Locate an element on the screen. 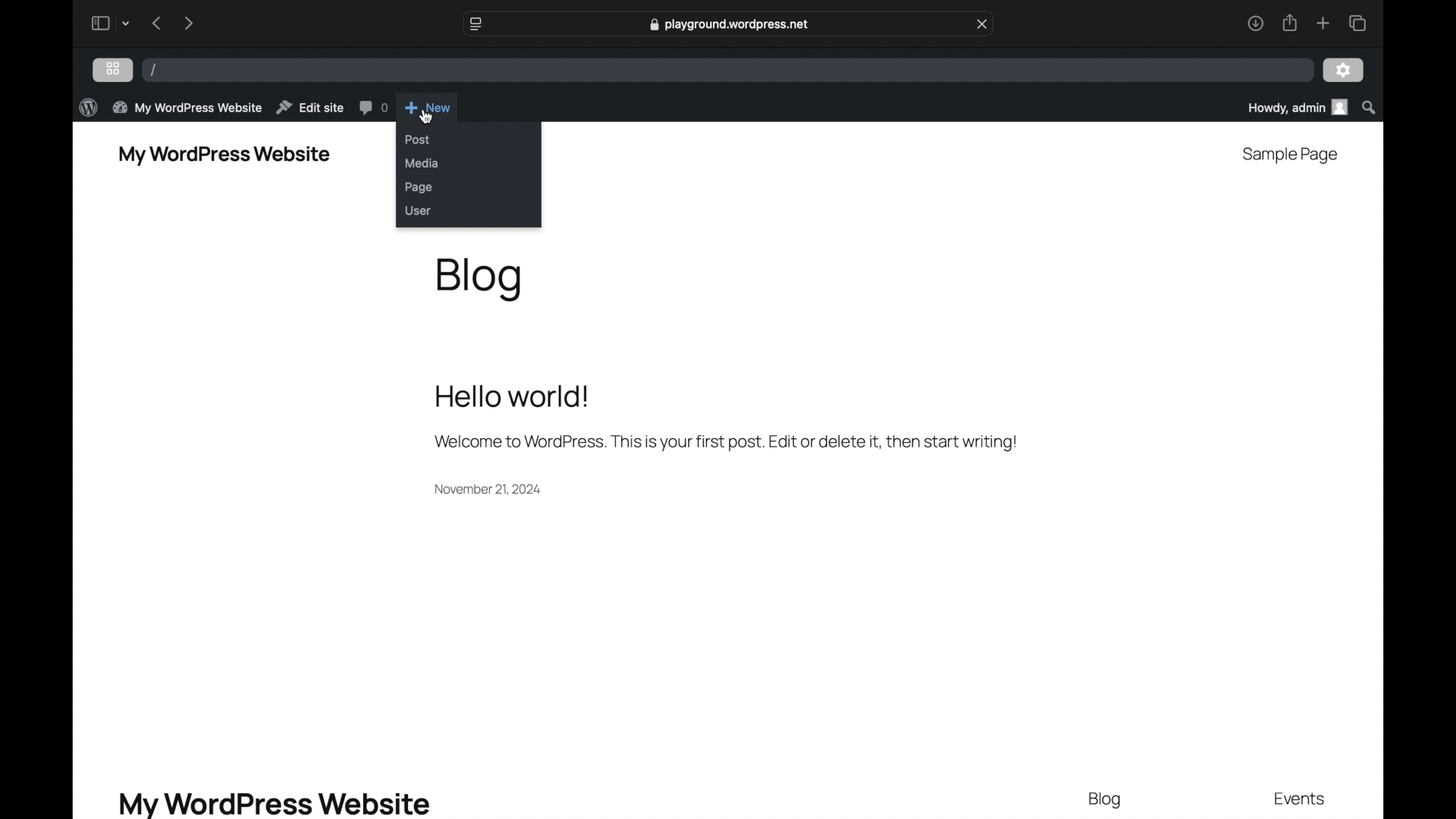 The image size is (1456, 819). website settings is located at coordinates (475, 24).